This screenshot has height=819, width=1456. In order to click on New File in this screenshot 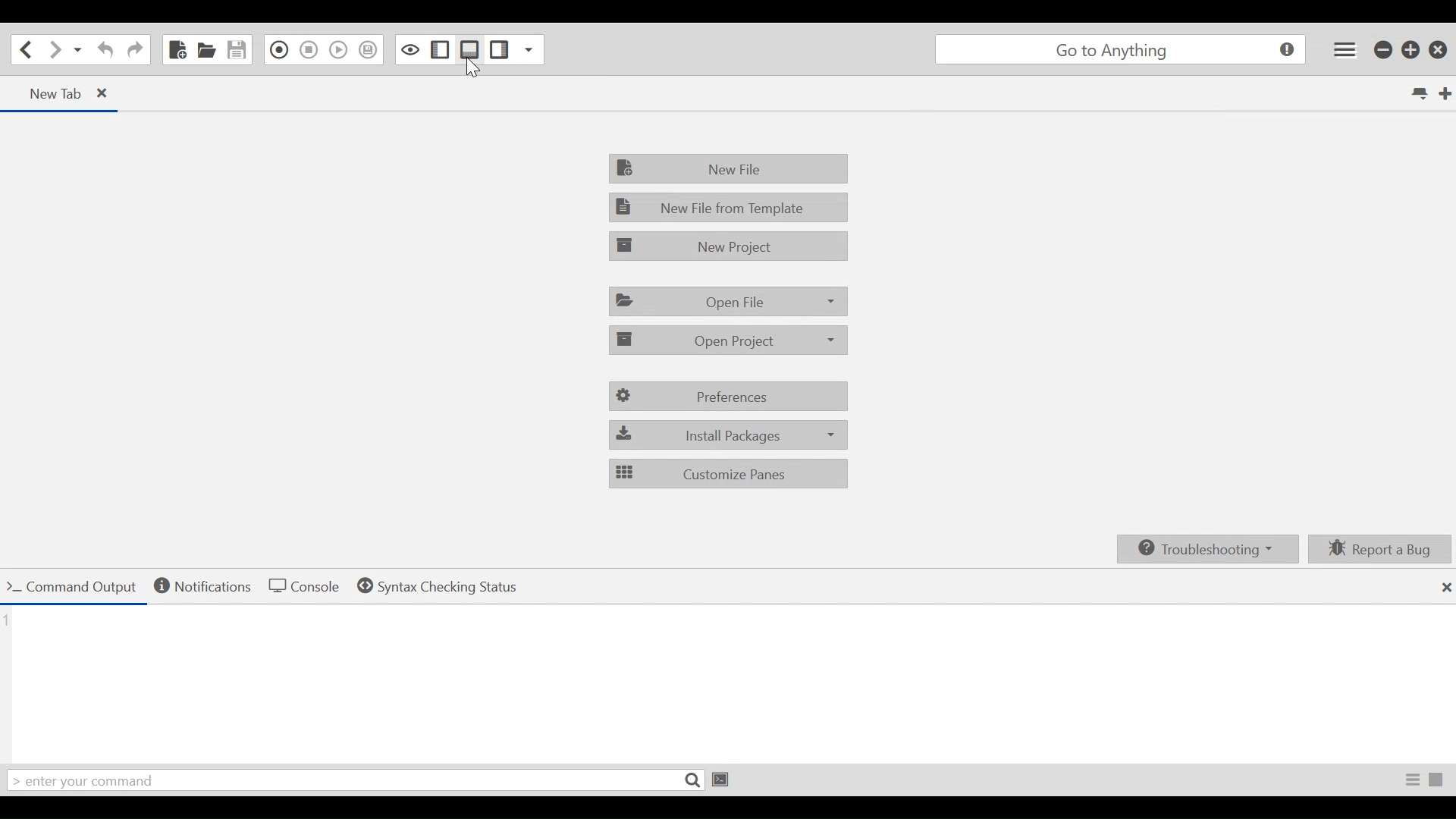, I will do `click(730, 170)`.